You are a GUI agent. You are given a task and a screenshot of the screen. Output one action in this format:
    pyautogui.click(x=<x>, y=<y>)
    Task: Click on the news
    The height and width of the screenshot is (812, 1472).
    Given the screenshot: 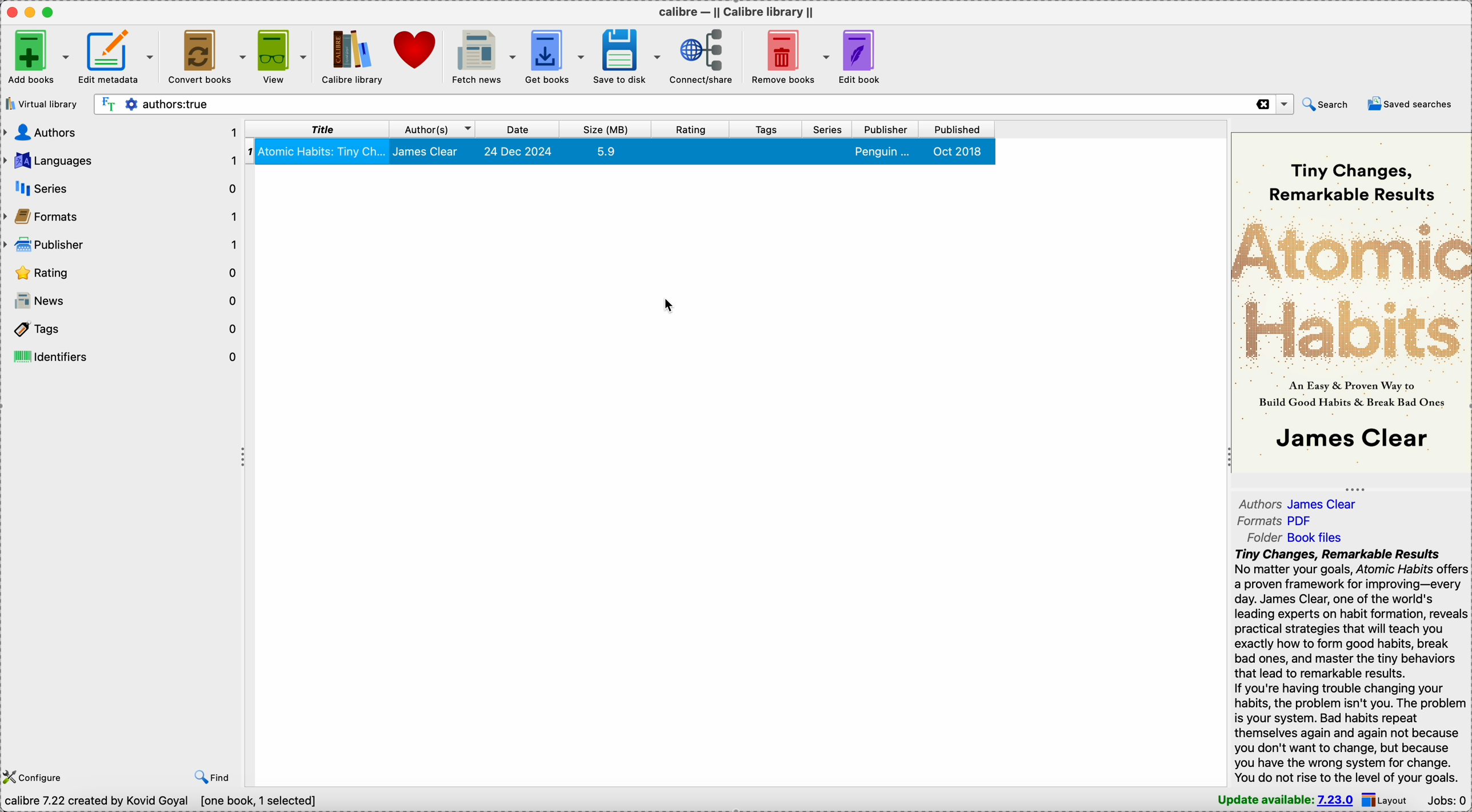 What is the action you would take?
    pyautogui.click(x=122, y=300)
    